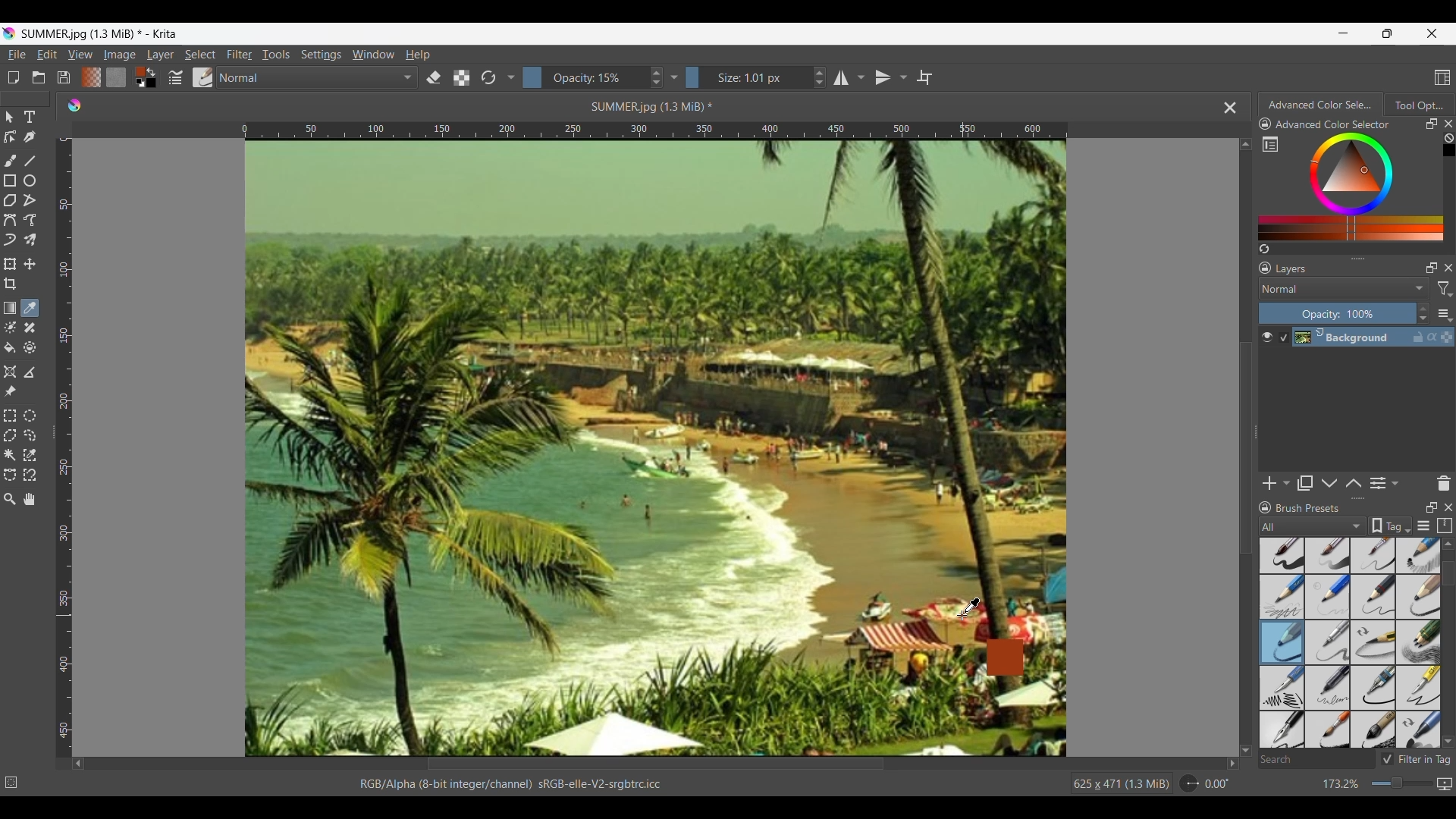 The width and height of the screenshot is (1456, 819). What do you see at coordinates (151, 72) in the screenshot?
I see `Swap color` at bounding box center [151, 72].